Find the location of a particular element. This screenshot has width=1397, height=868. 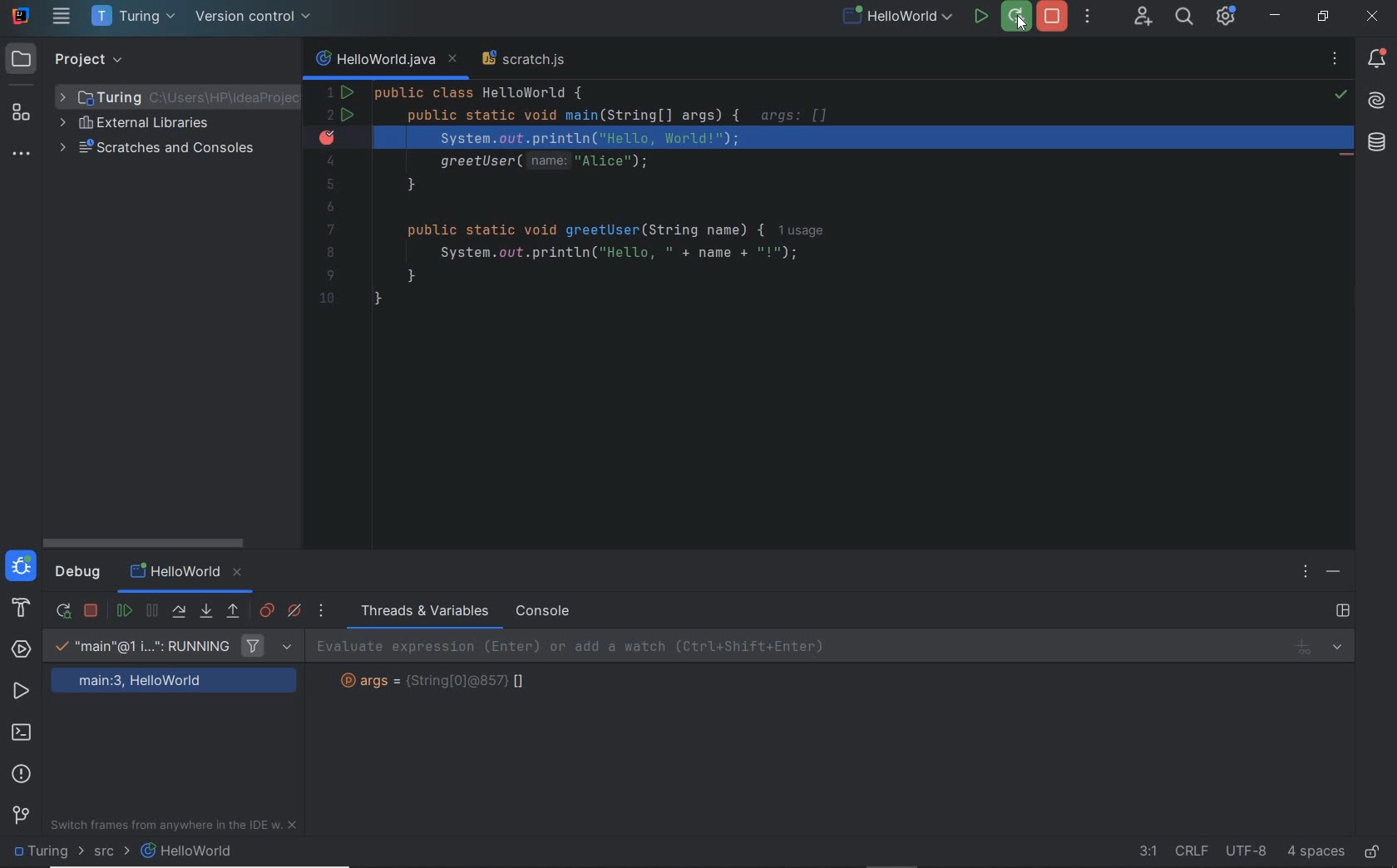

make file ready only is located at coordinates (1370, 853).